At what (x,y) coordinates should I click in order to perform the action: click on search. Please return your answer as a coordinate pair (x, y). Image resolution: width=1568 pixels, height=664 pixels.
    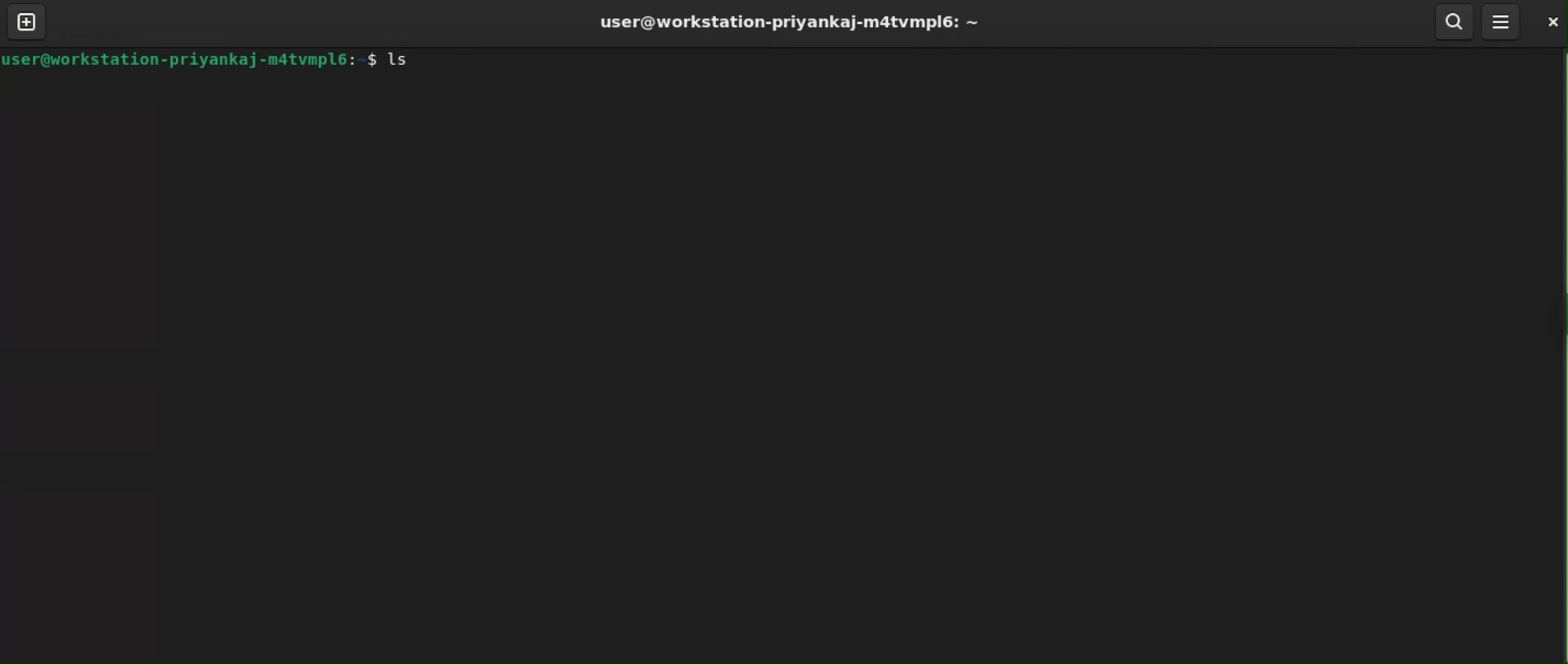
    Looking at the image, I should click on (1455, 21).